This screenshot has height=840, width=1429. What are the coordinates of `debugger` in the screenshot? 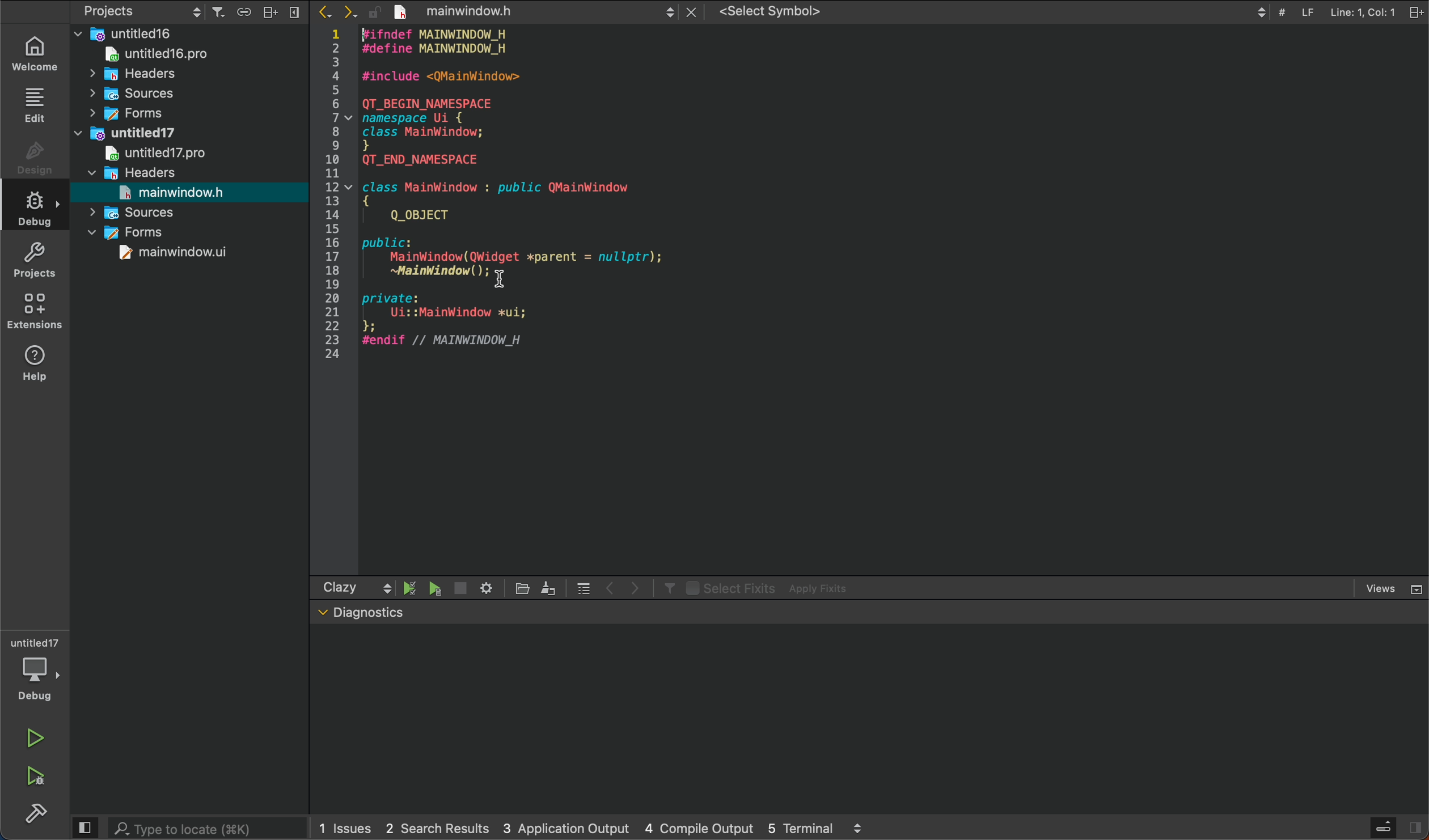 It's located at (33, 670).